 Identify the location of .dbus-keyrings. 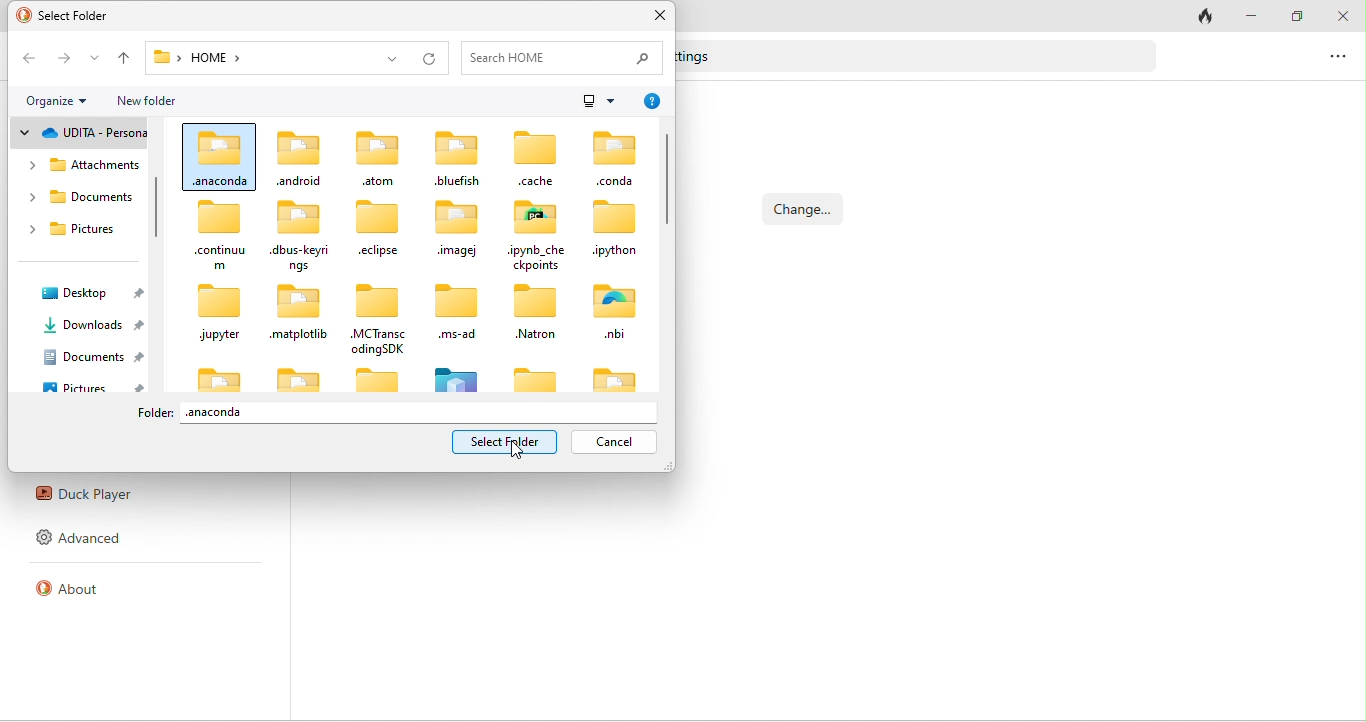
(301, 237).